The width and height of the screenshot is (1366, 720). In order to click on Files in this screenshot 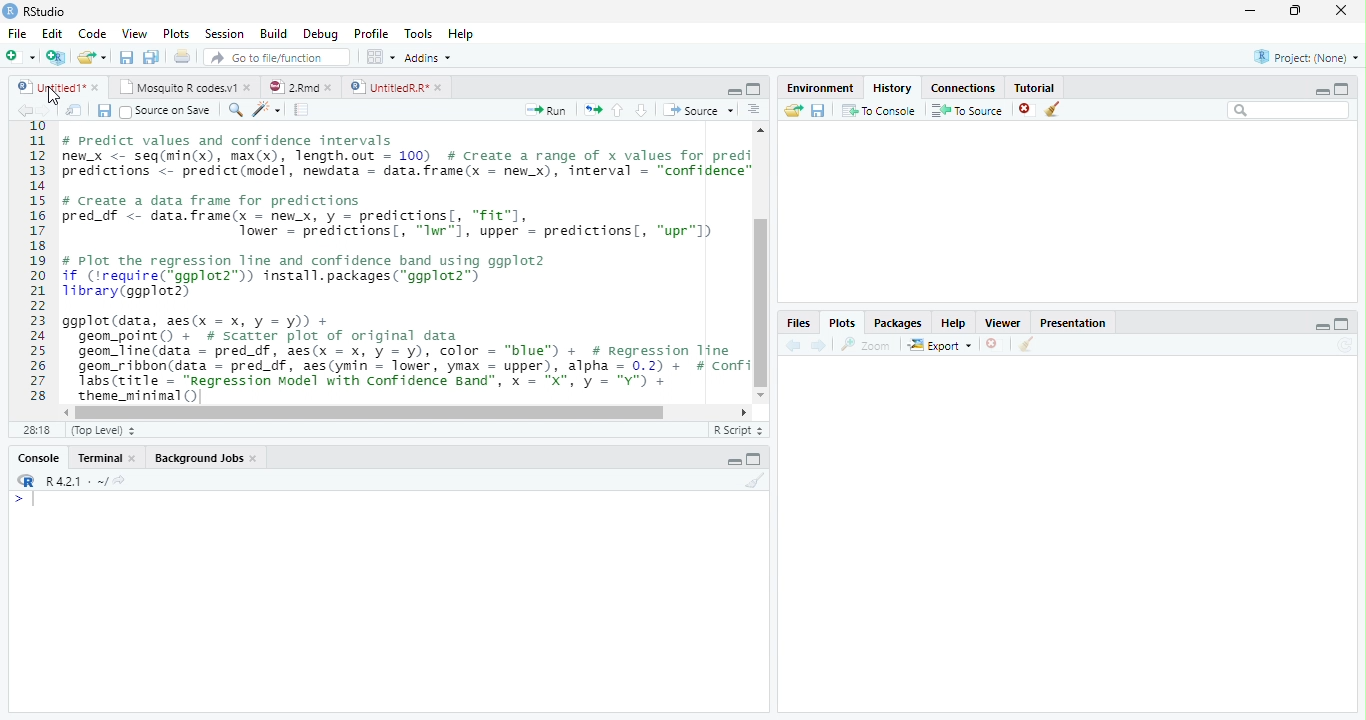, I will do `click(800, 322)`.